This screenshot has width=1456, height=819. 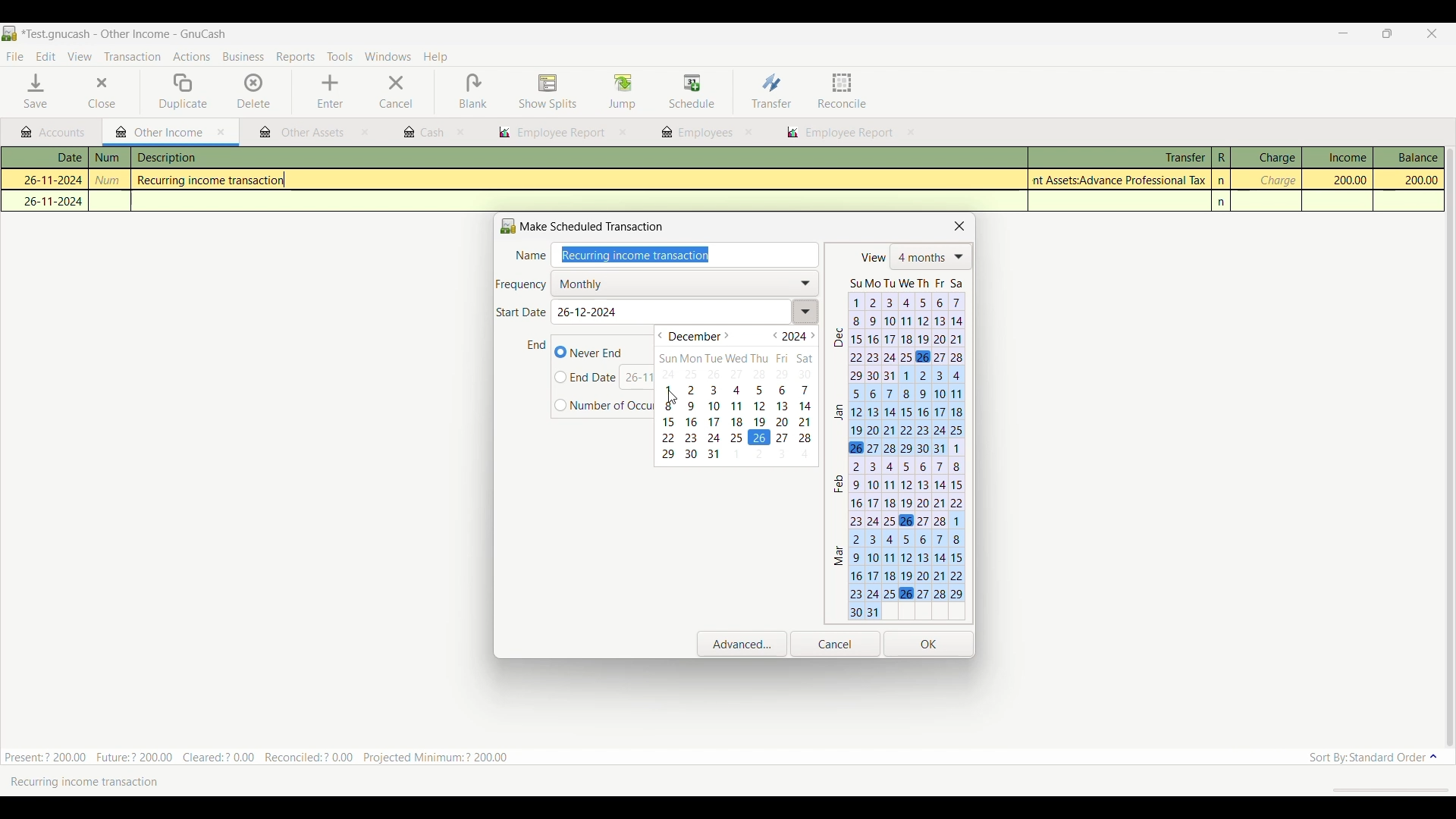 I want to click on R column, so click(x=1220, y=158).